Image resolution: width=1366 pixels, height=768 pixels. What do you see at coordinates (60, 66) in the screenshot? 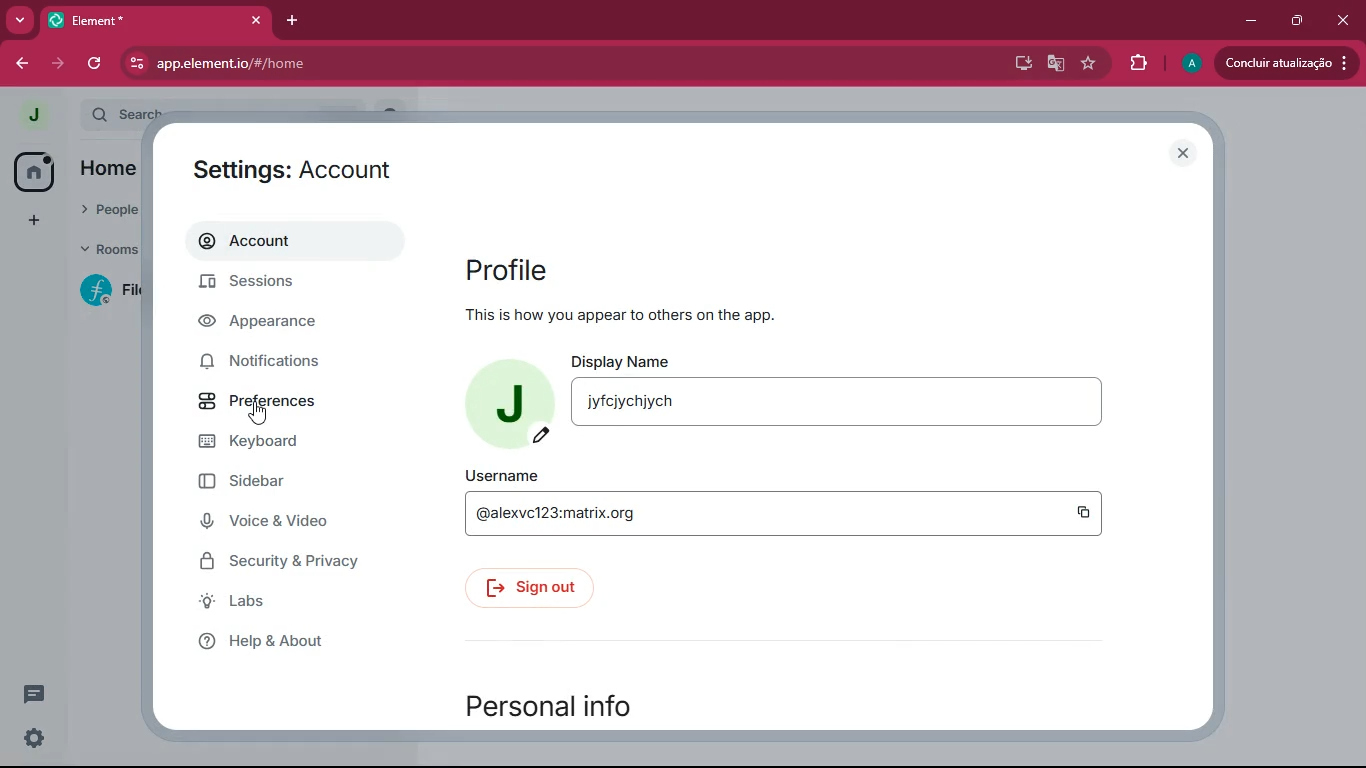
I see `forward` at bounding box center [60, 66].